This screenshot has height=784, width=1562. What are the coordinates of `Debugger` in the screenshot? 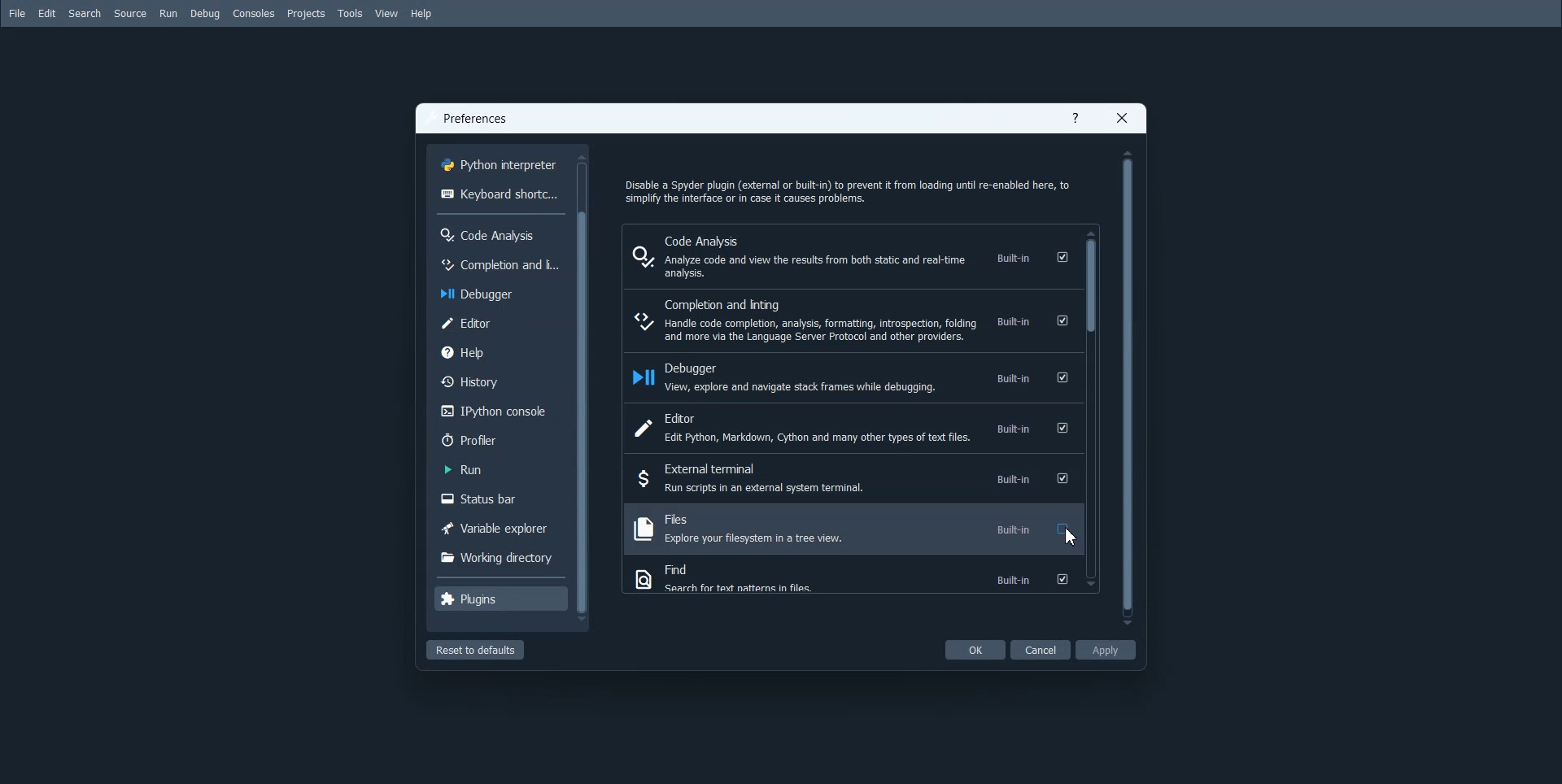 It's located at (850, 377).